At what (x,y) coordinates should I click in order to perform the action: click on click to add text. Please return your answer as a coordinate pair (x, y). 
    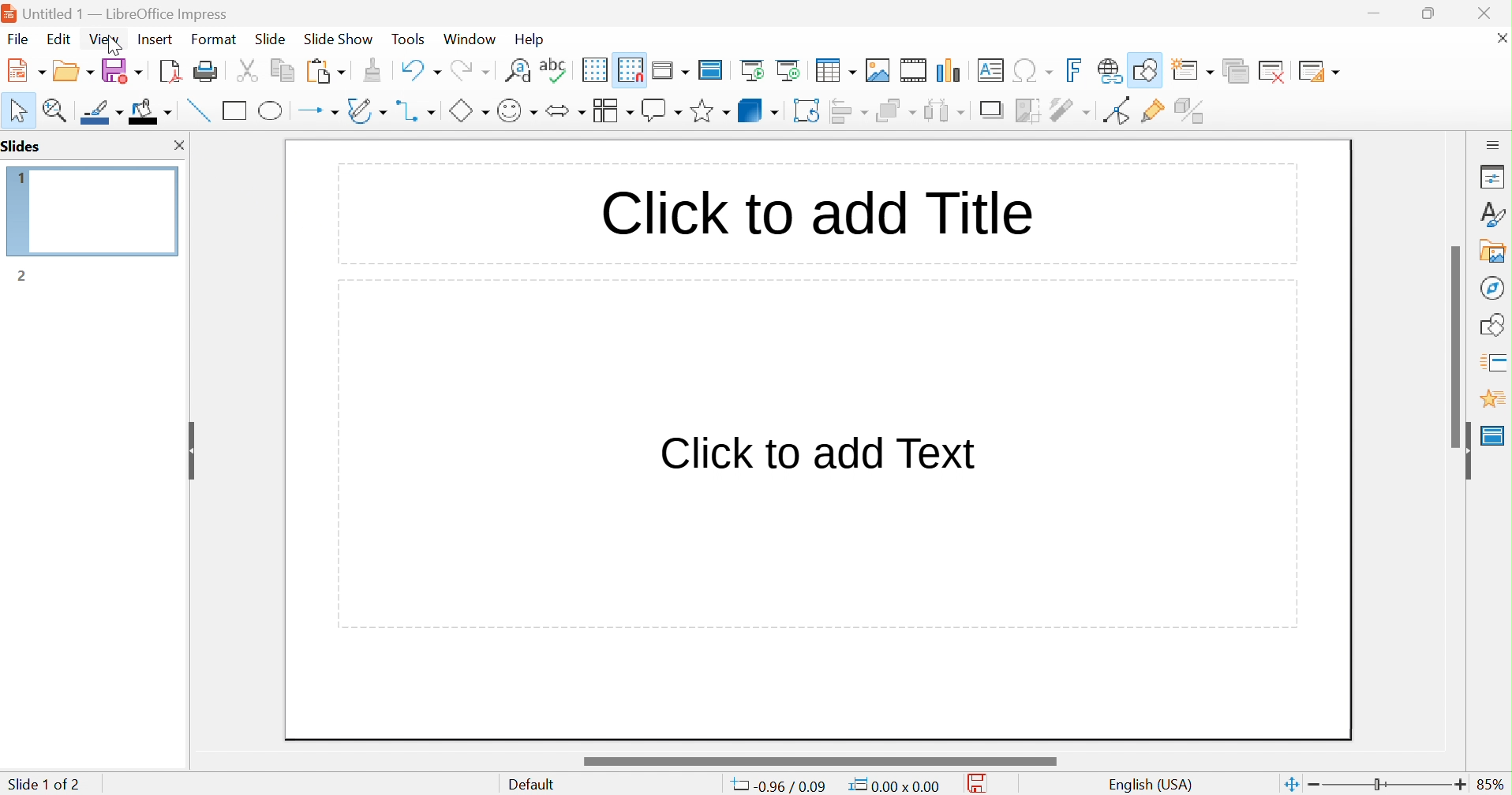
    Looking at the image, I should click on (818, 450).